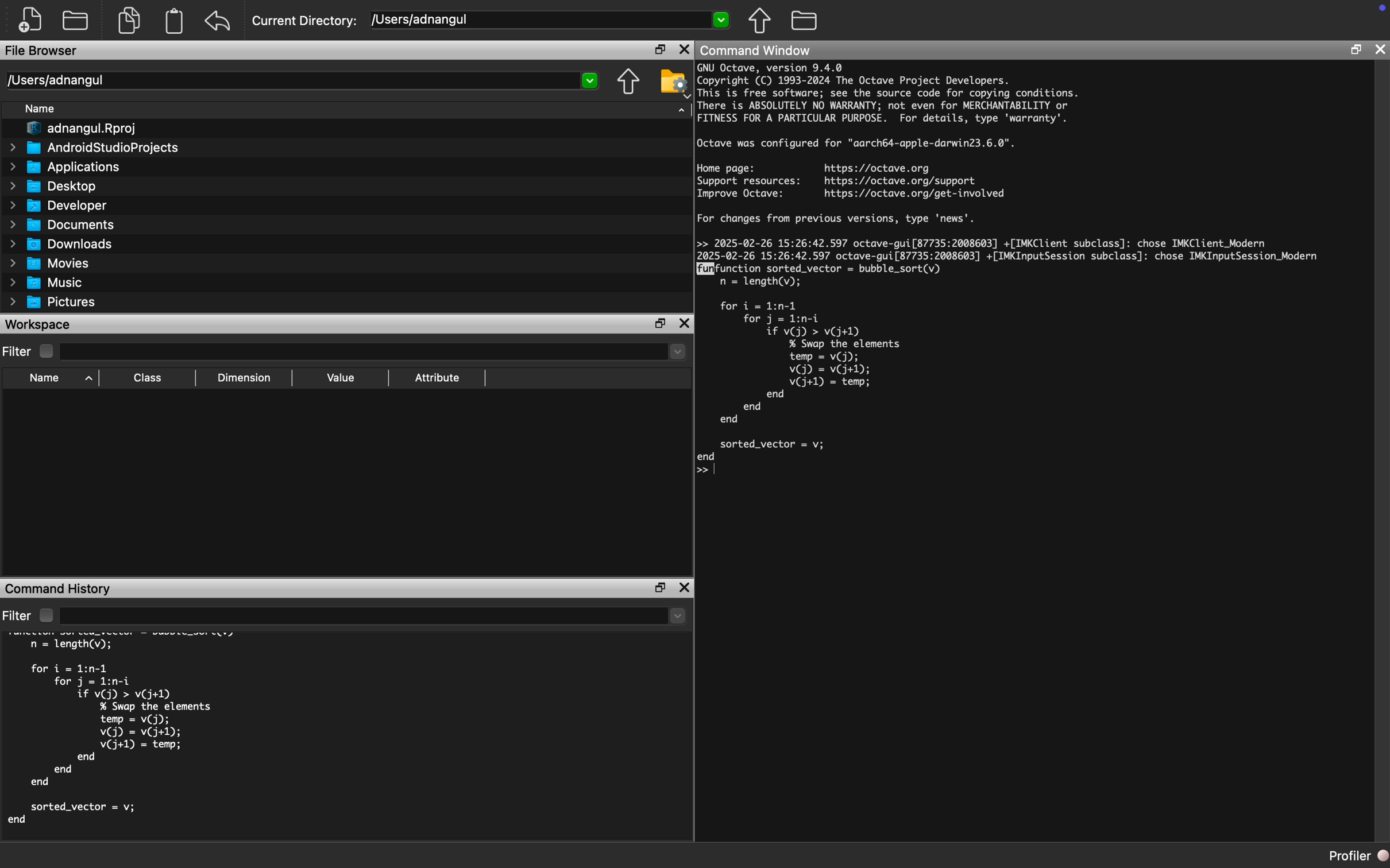 This screenshot has width=1390, height=868. Describe the element at coordinates (39, 325) in the screenshot. I see `Workspace` at that location.